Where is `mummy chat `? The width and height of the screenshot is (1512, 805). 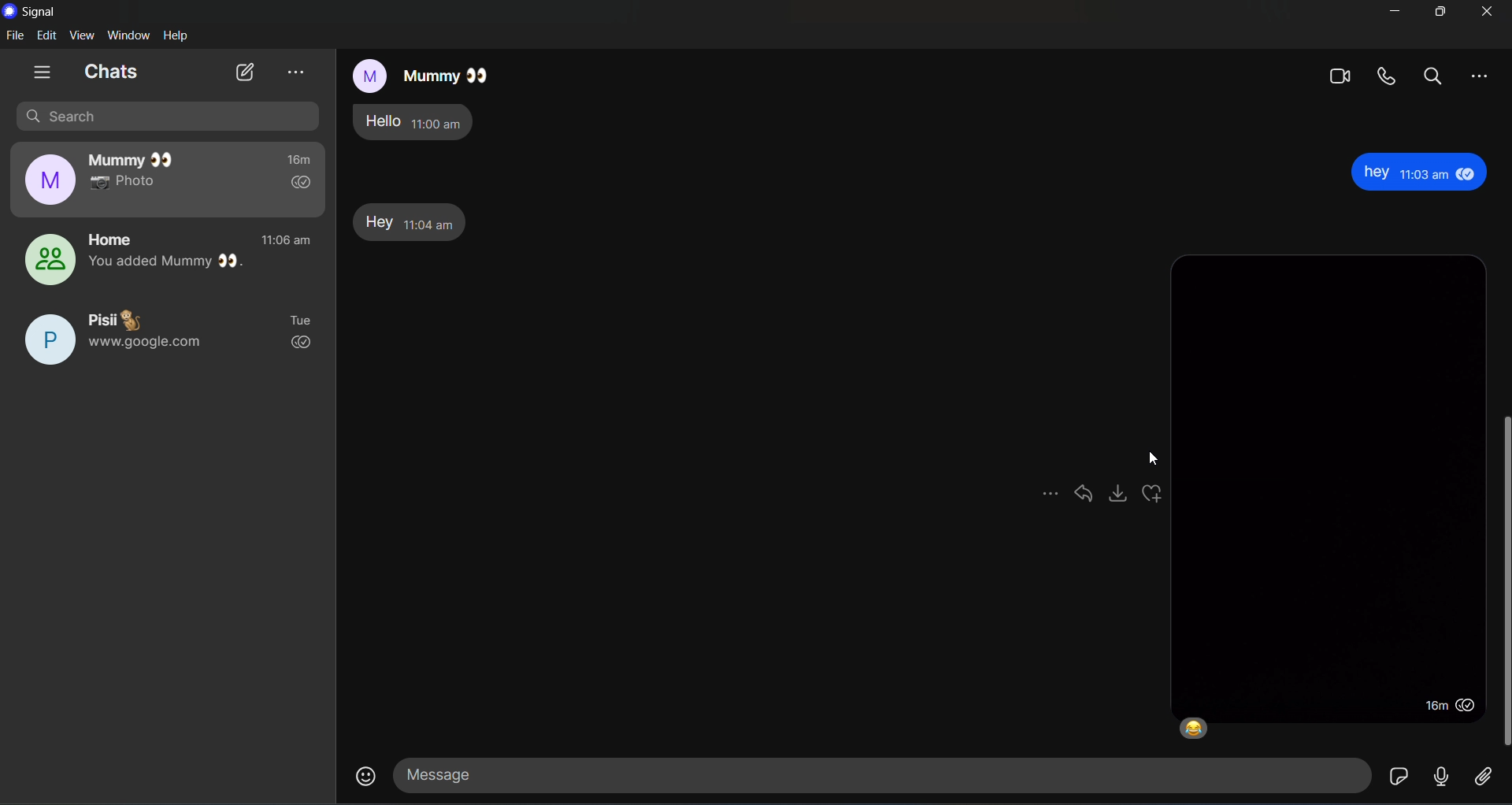
mummy chat  is located at coordinates (417, 72).